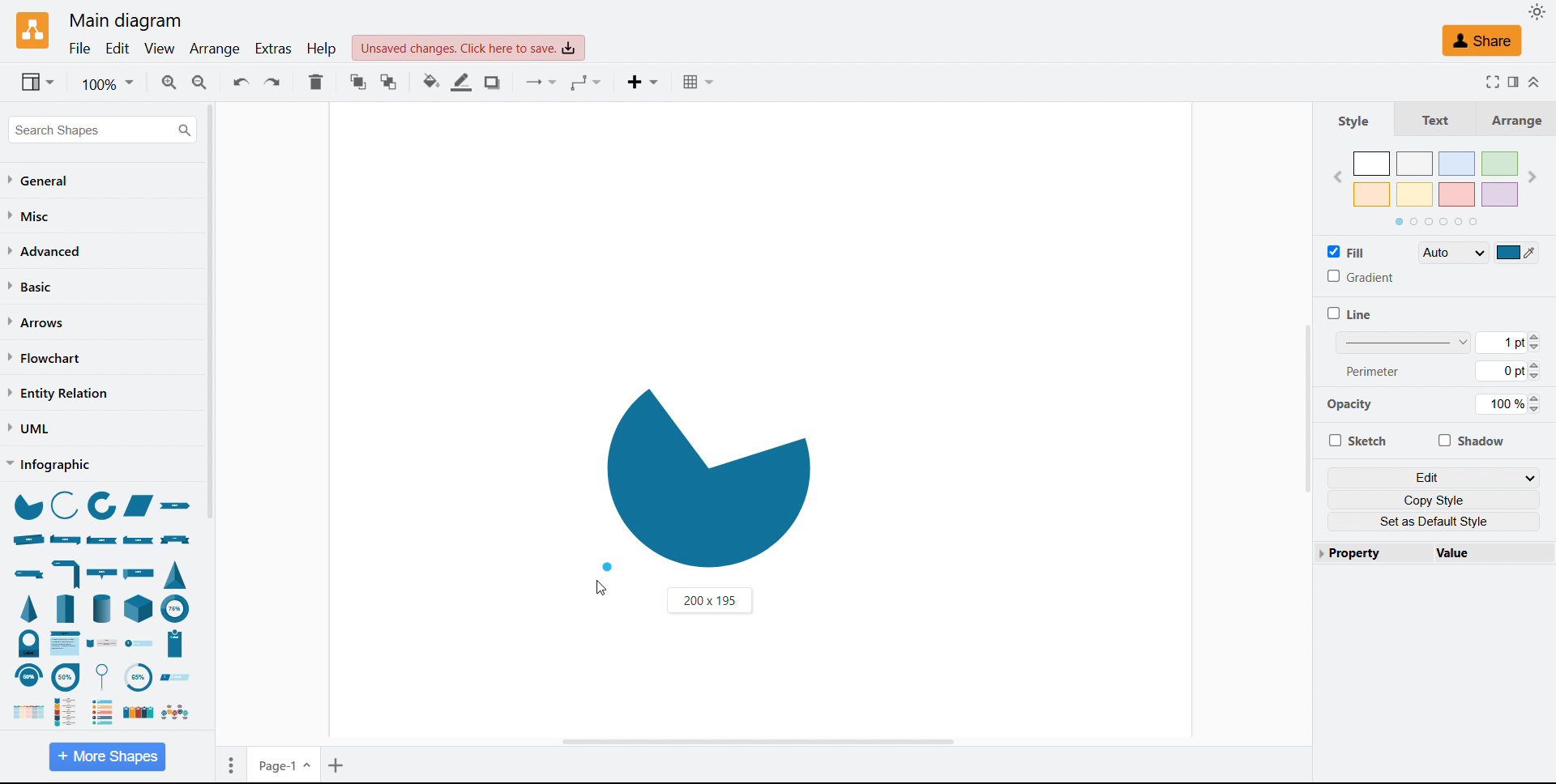 The image size is (1556, 784). I want to click on Page 1 , so click(285, 764).